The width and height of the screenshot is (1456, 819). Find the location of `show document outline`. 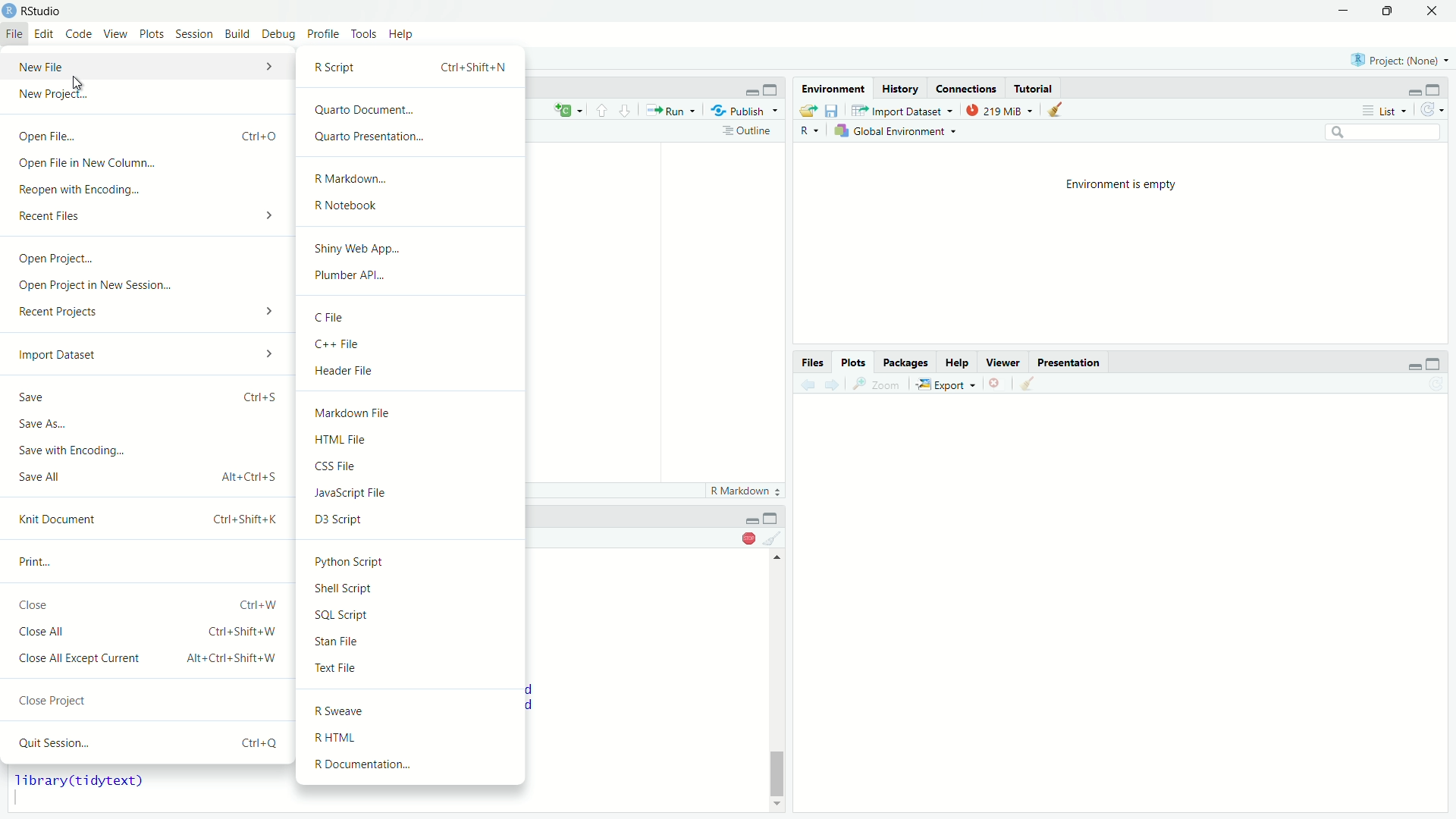

show document outline is located at coordinates (748, 132).